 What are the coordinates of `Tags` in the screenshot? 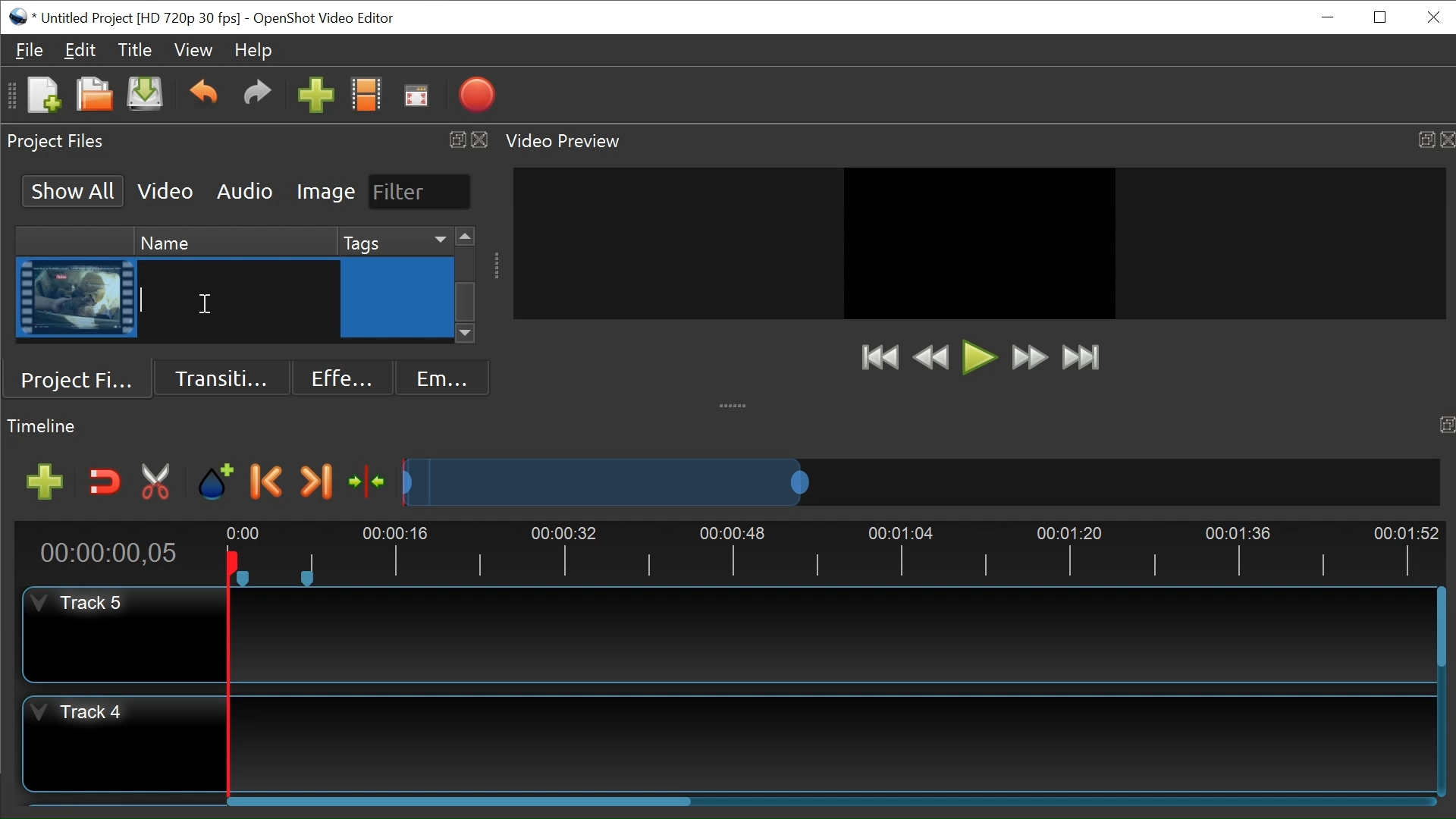 It's located at (393, 240).